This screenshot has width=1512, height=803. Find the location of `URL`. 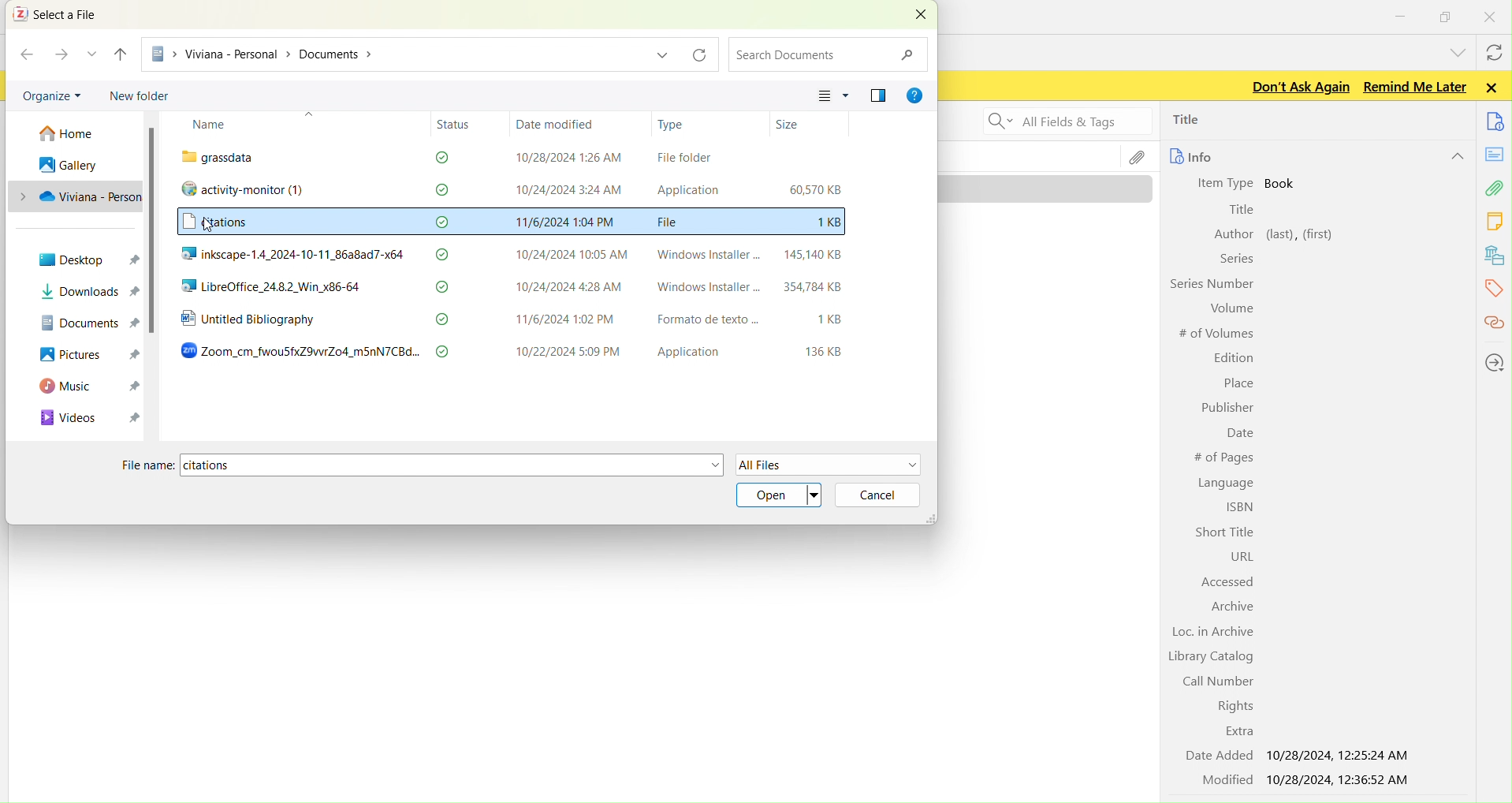

URL is located at coordinates (1238, 555).